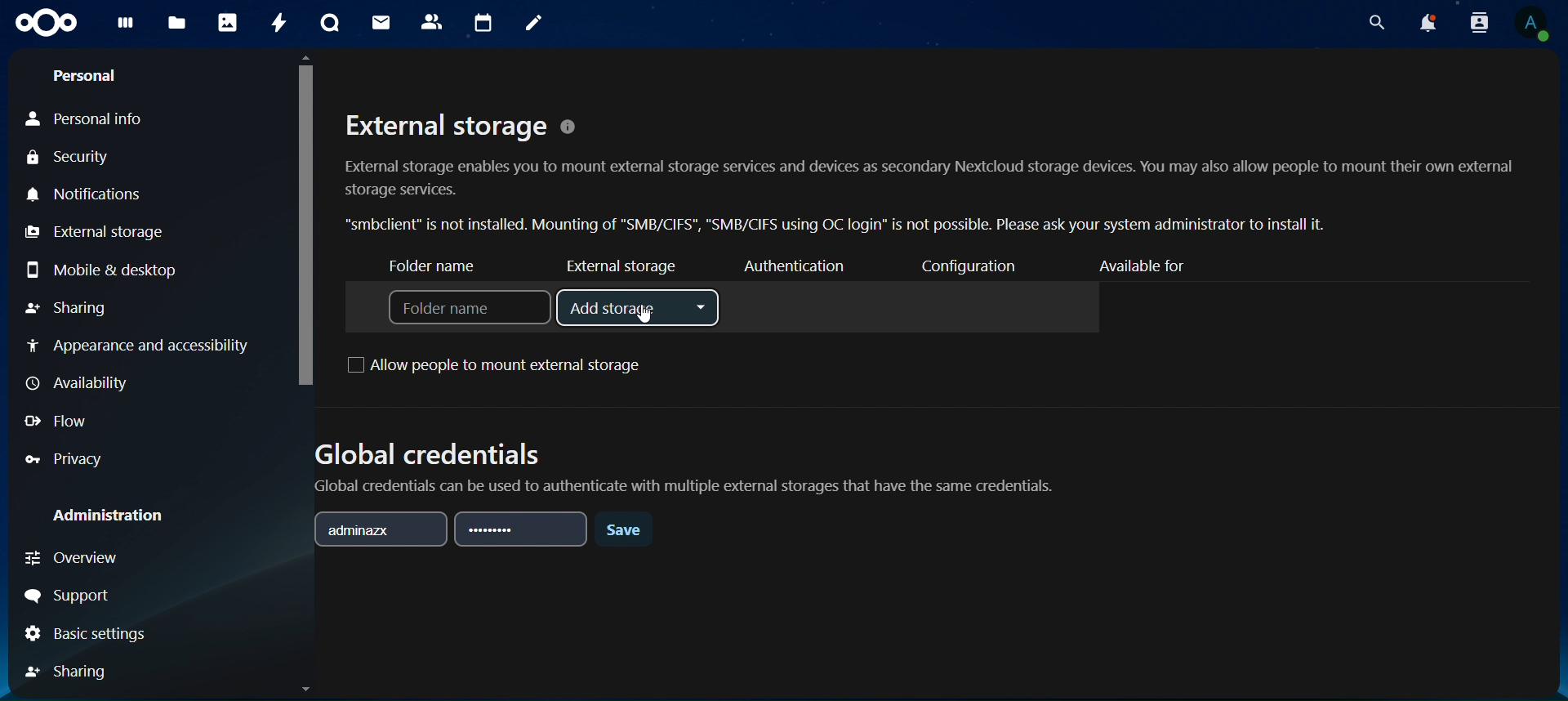  Describe the element at coordinates (93, 232) in the screenshot. I see `external storage` at that location.